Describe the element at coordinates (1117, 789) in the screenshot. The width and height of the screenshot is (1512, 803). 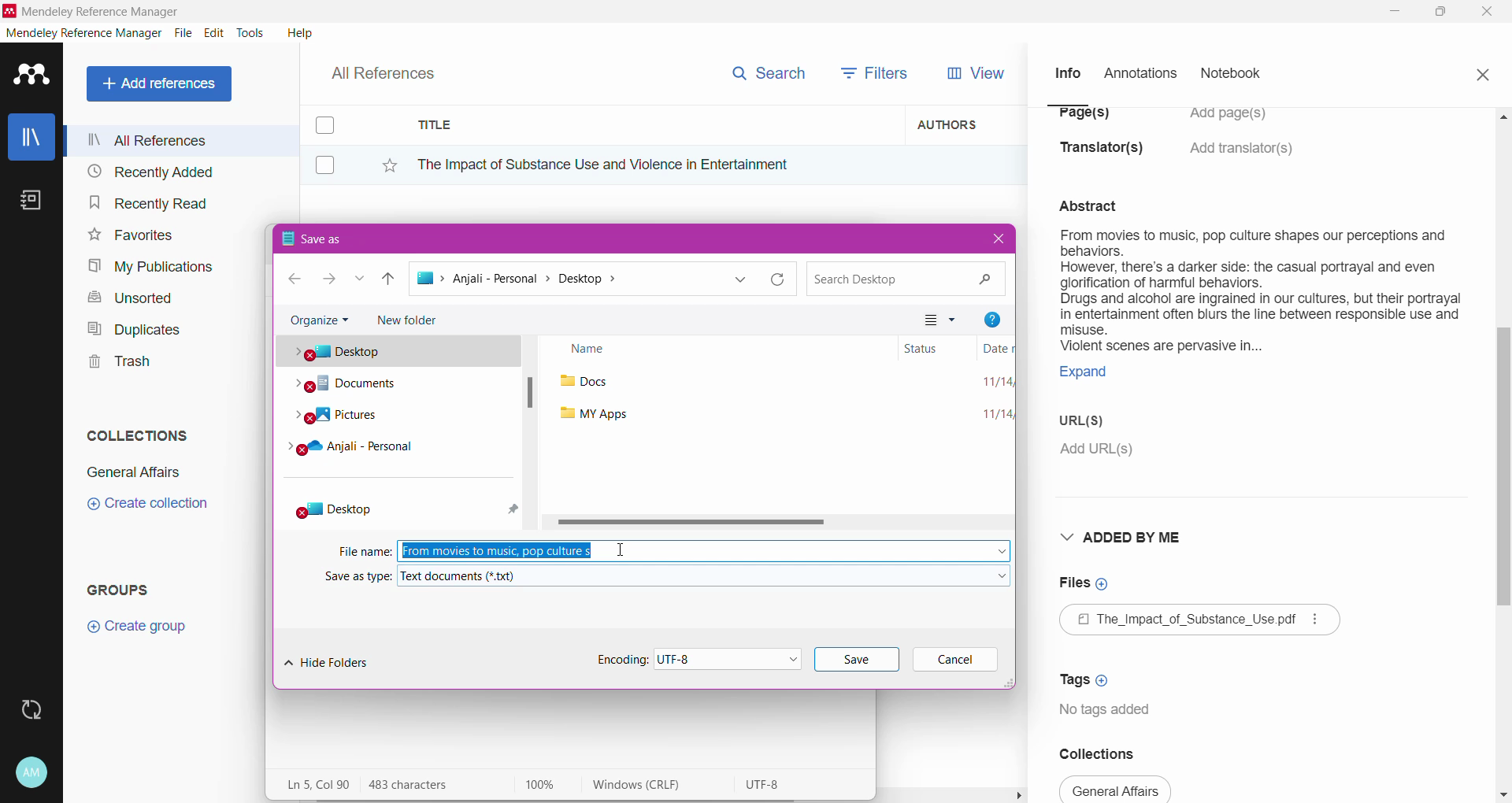
I see `collections available` at that location.